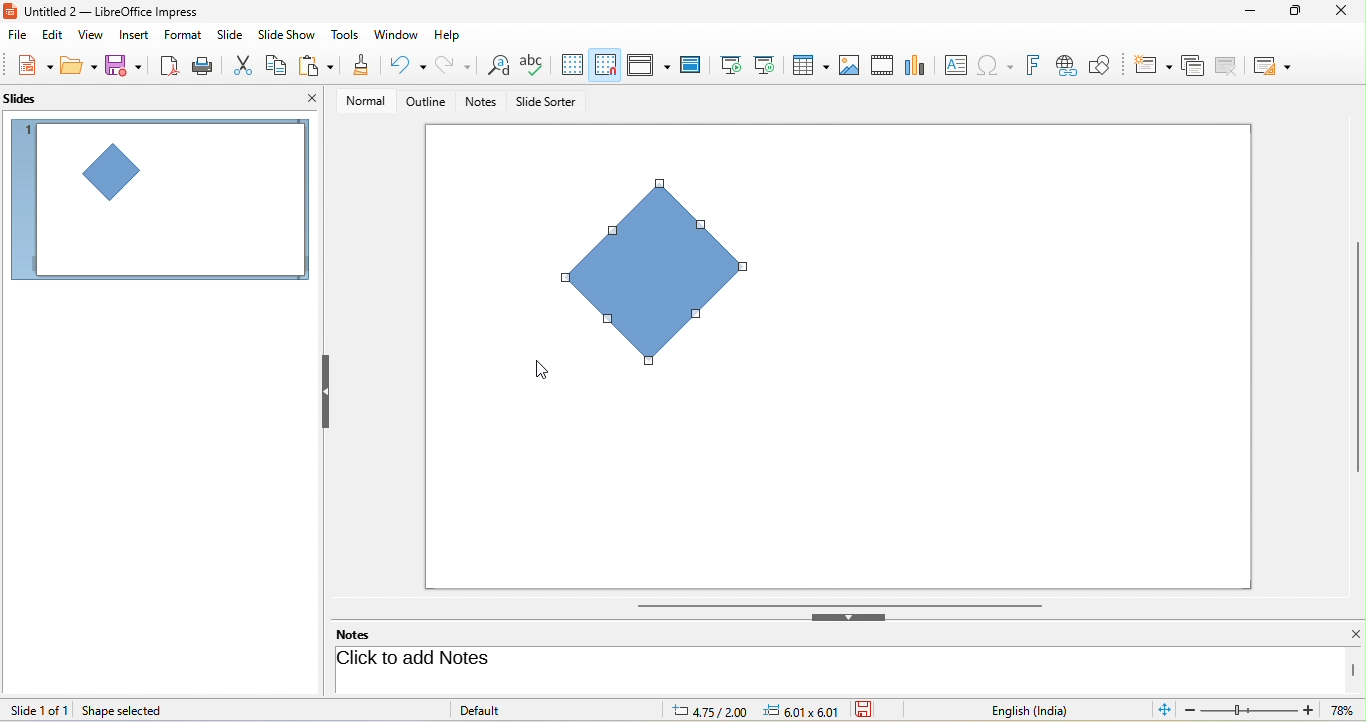 The height and width of the screenshot is (722, 1366). I want to click on font work text, so click(1036, 63).